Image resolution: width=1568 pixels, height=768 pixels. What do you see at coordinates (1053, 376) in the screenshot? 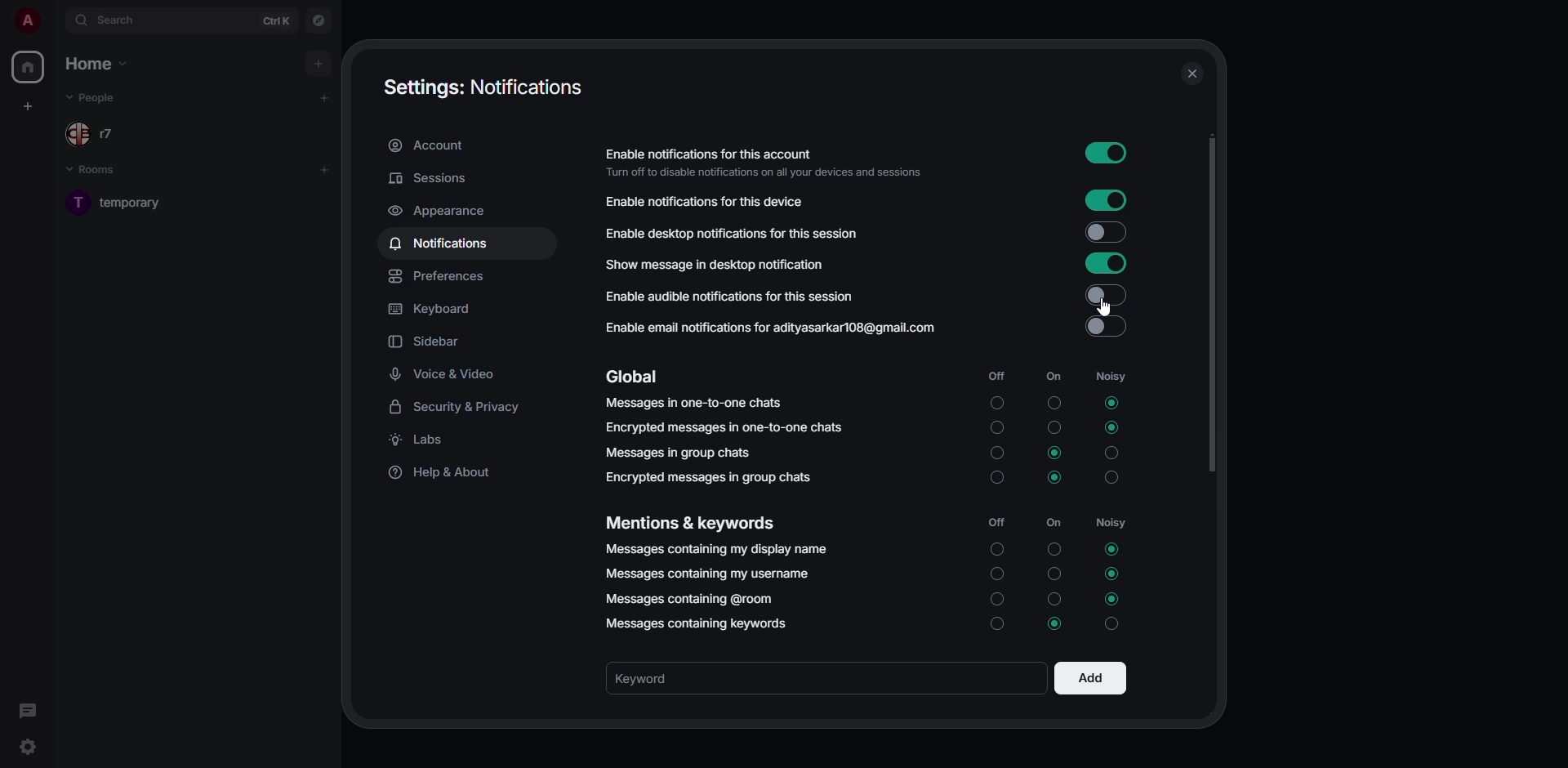
I see `on` at bounding box center [1053, 376].